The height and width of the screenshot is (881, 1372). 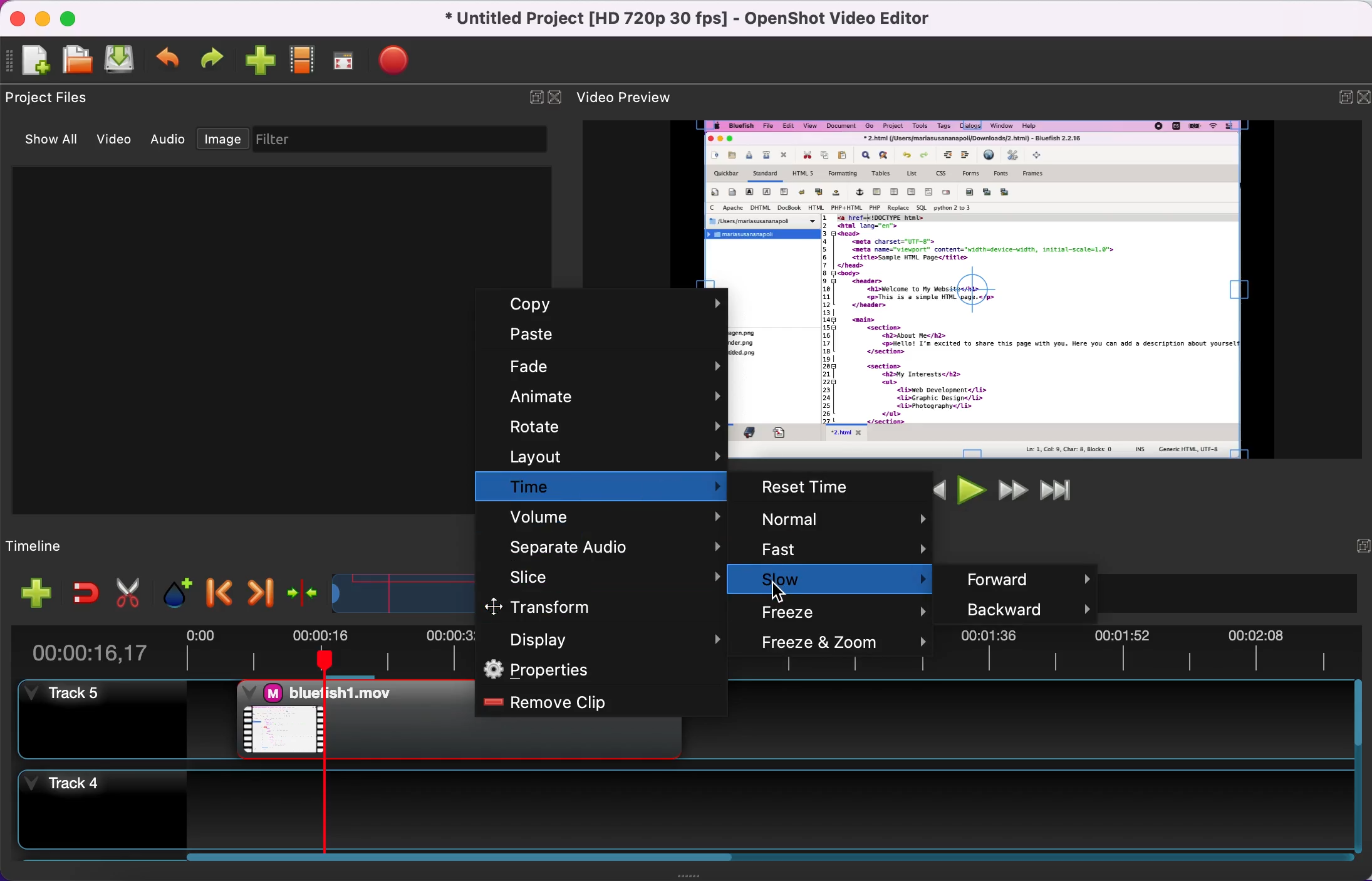 What do you see at coordinates (350, 717) in the screenshot?
I see `video clip` at bounding box center [350, 717].